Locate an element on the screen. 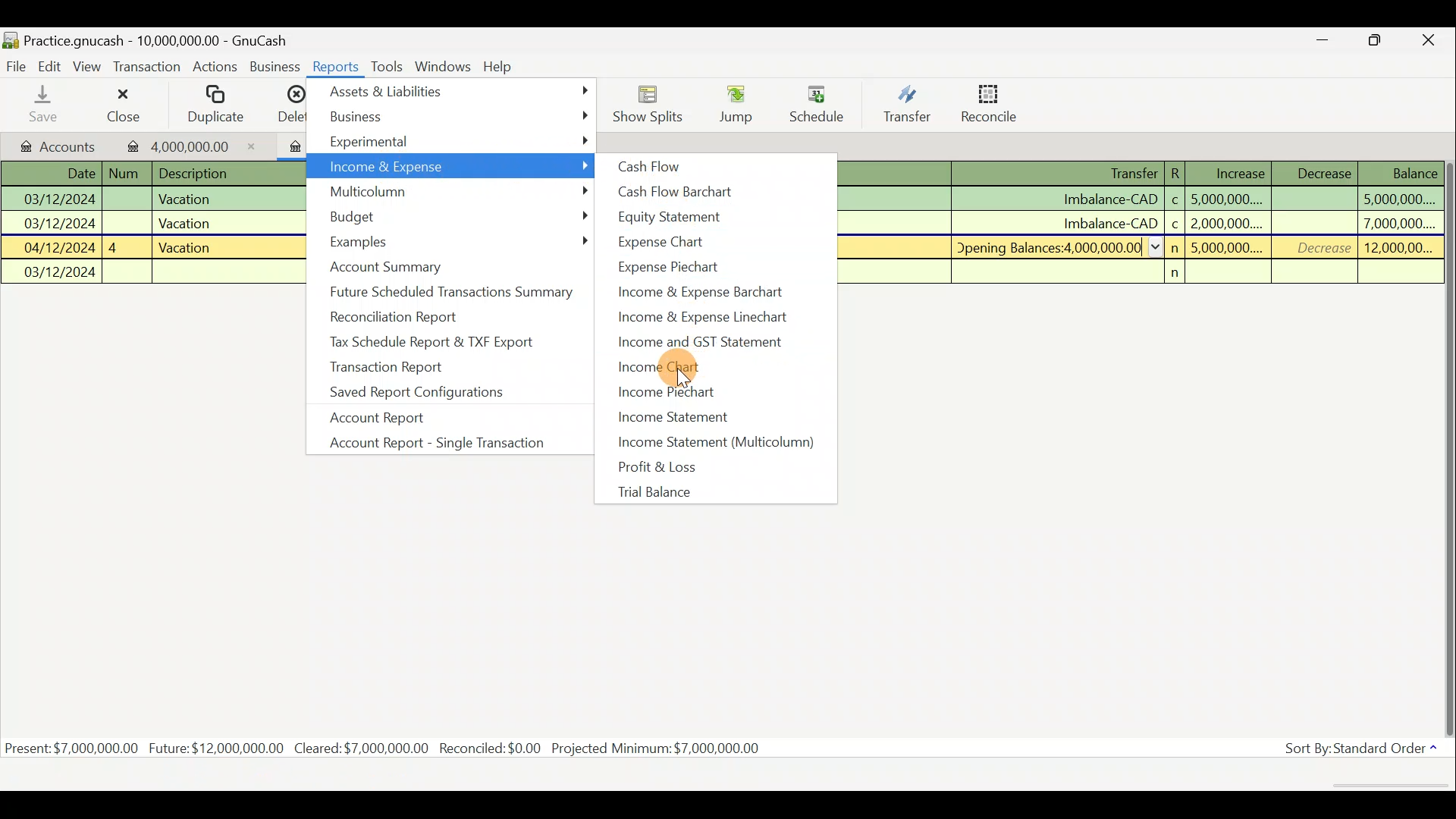 The image size is (1456, 819). Cash flow barchart is located at coordinates (673, 191).